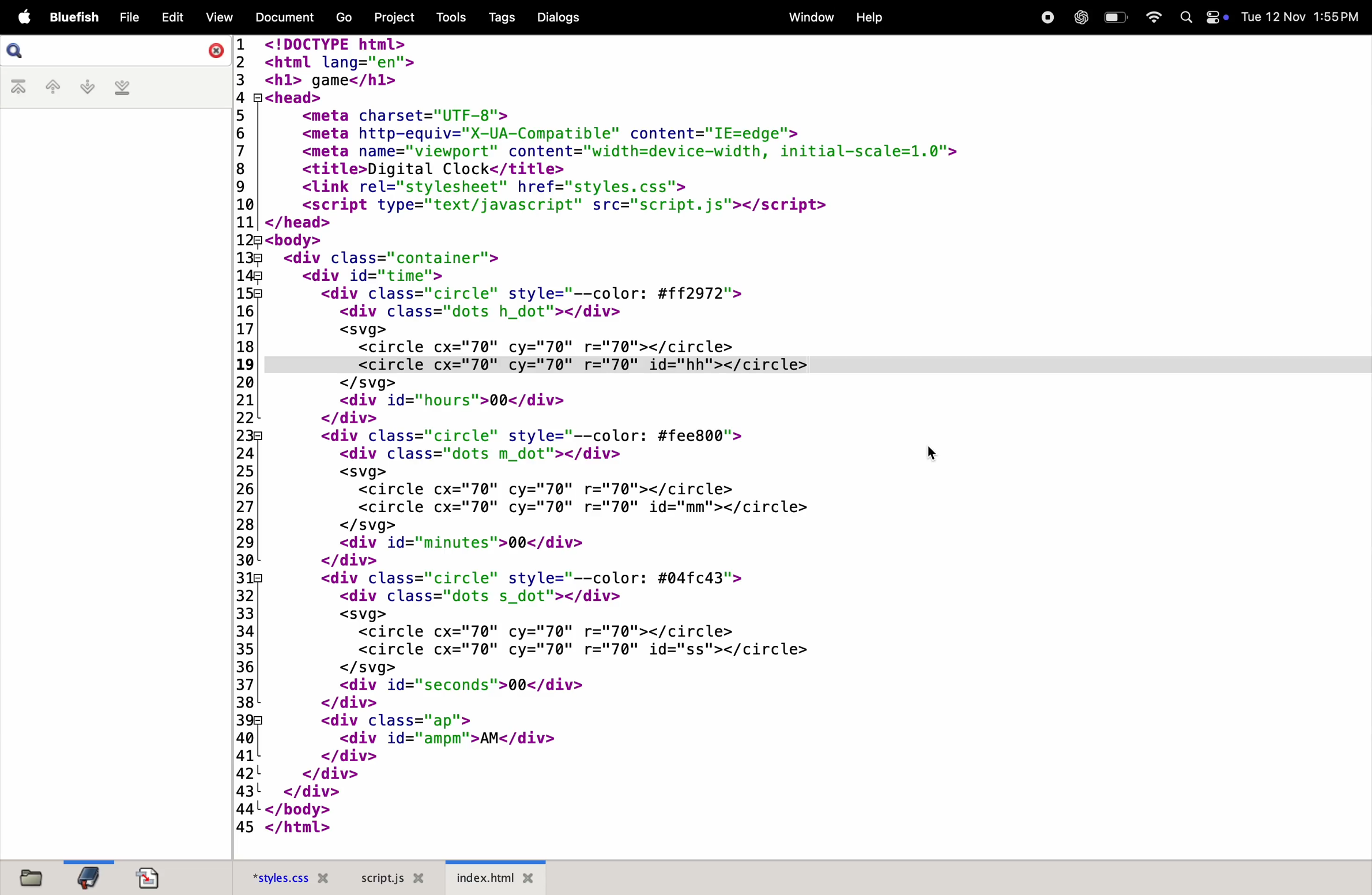 The height and width of the screenshot is (895, 1372). What do you see at coordinates (154, 875) in the screenshot?
I see `open document` at bounding box center [154, 875].